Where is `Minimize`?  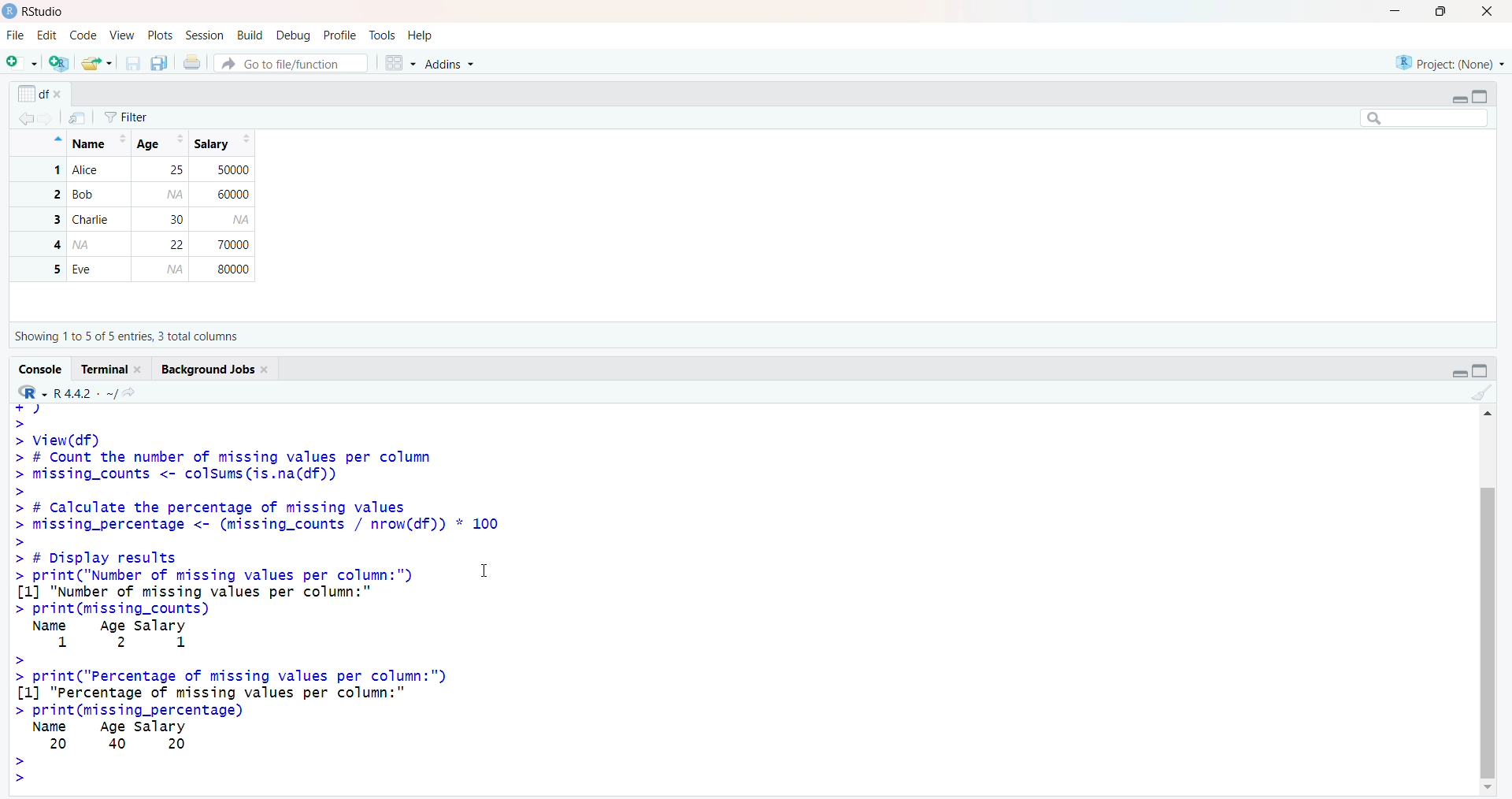 Minimize is located at coordinates (1462, 373).